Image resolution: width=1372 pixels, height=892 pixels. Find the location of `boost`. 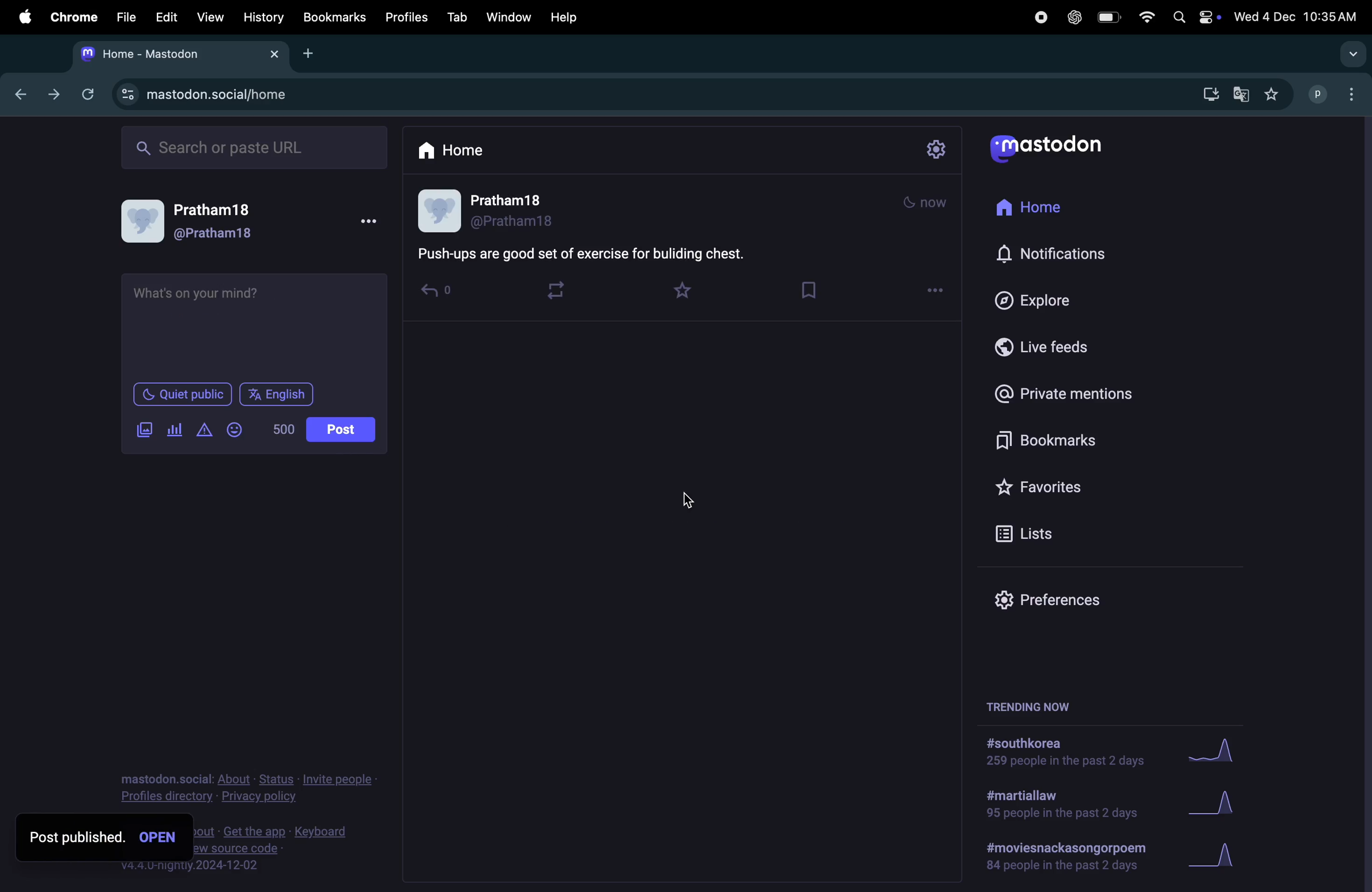

boost is located at coordinates (560, 292).